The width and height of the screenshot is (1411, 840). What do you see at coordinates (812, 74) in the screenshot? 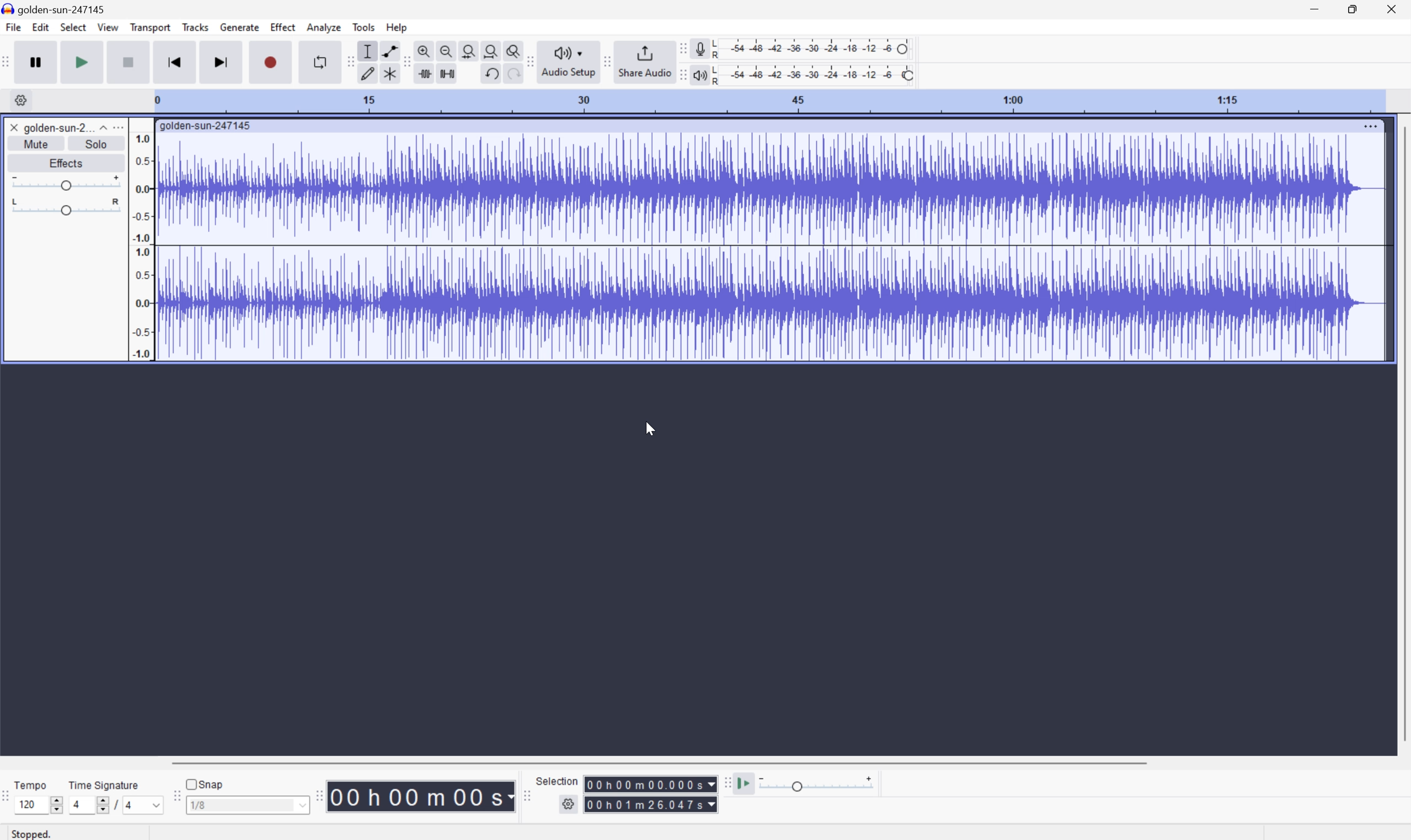
I see `Playback level: 100%` at bounding box center [812, 74].